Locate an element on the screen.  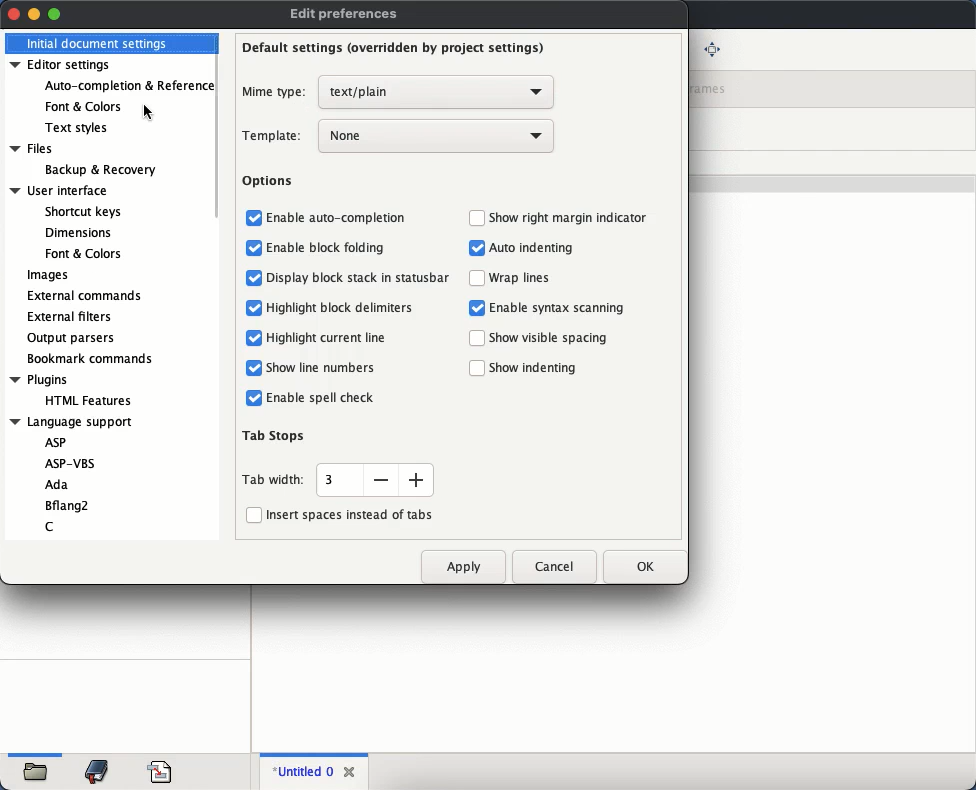
HTML features is located at coordinates (89, 402).